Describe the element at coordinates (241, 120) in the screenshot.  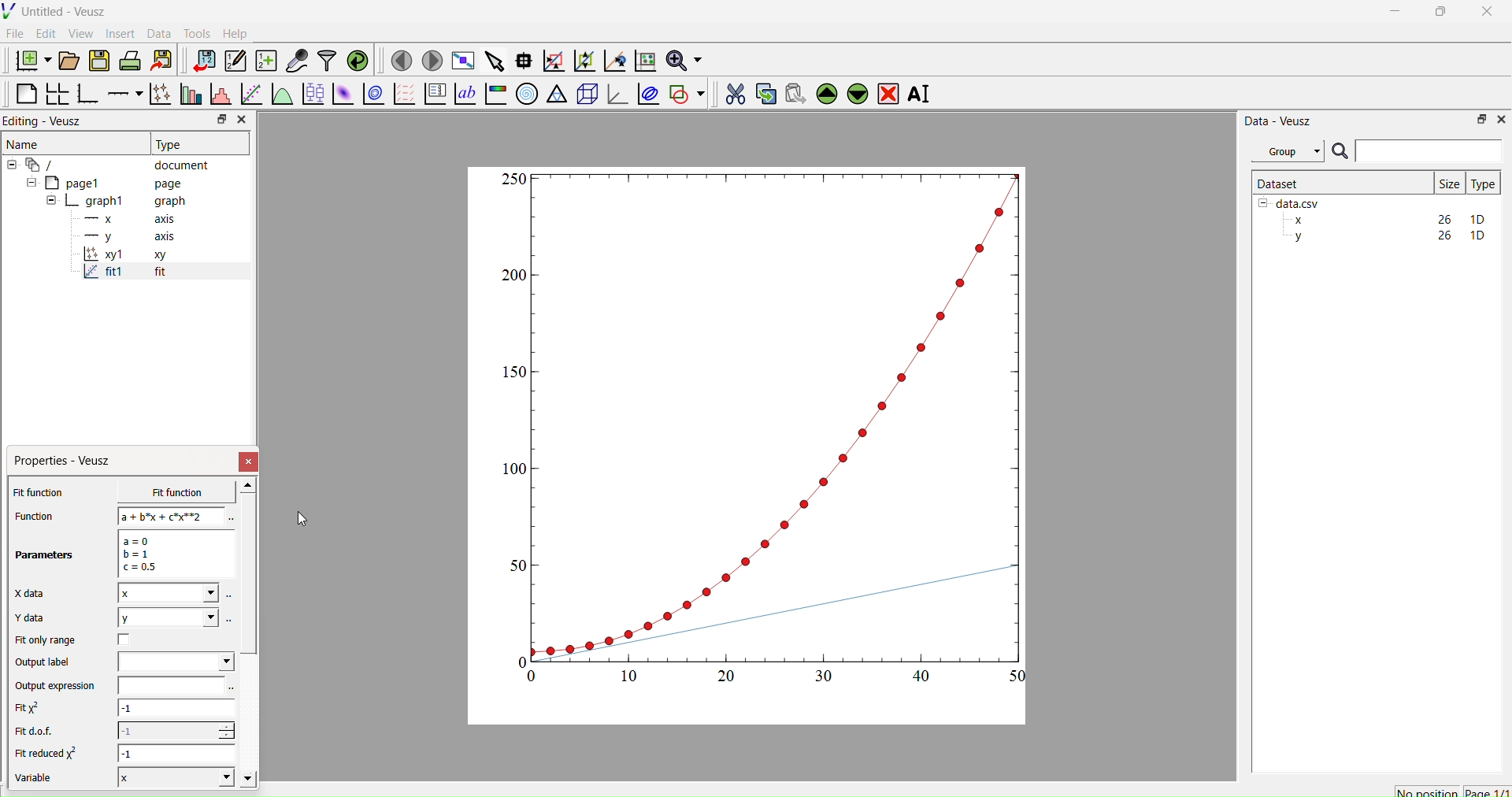
I see `Close` at that location.